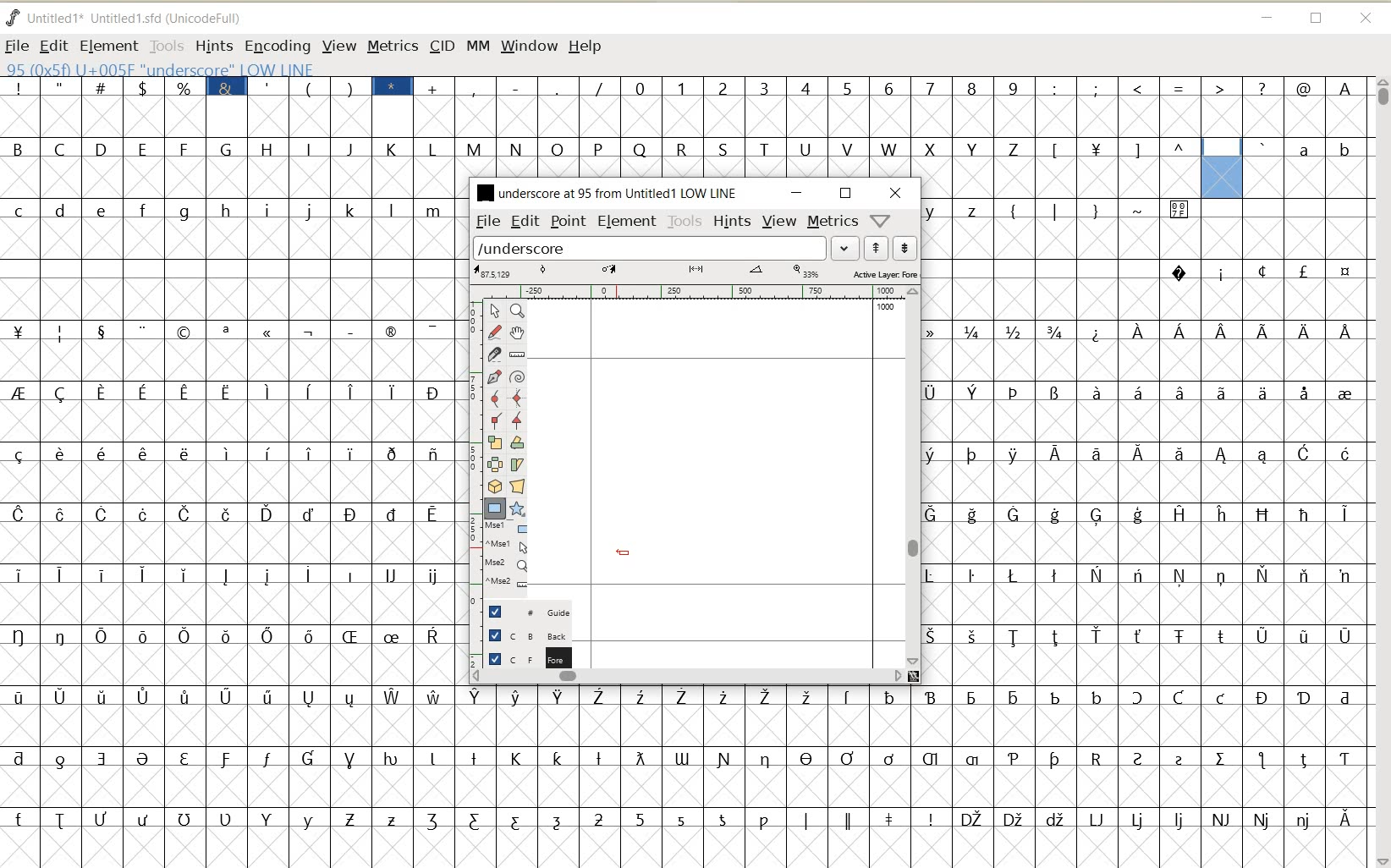 The width and height of the screenshot is (1391, 868). What do you see at coordinates (518, 420) in the screenshot?
I see `Add a corner point` at bounding box center [518, 420].